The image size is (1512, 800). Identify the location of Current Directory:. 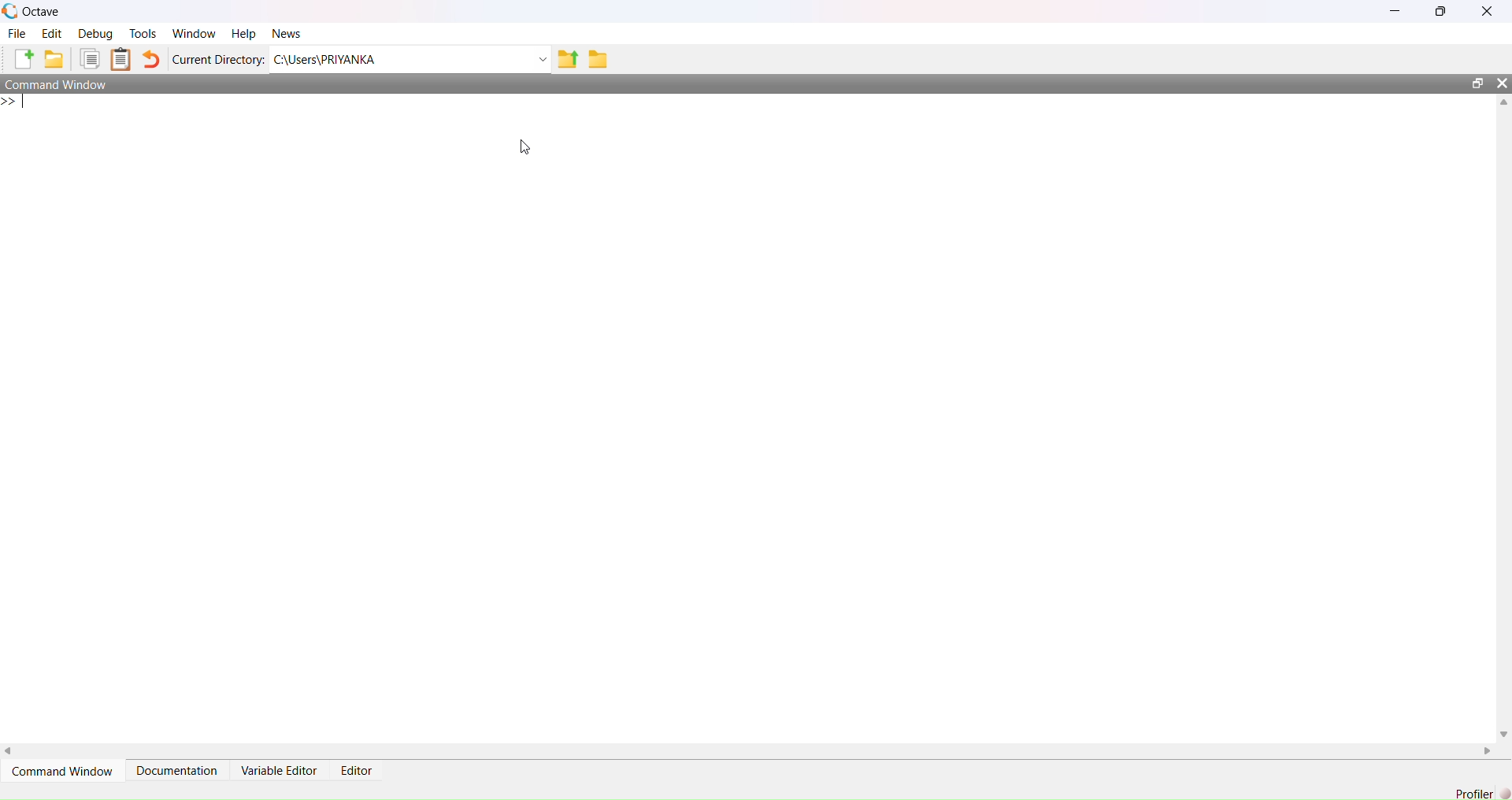
(220, 59).